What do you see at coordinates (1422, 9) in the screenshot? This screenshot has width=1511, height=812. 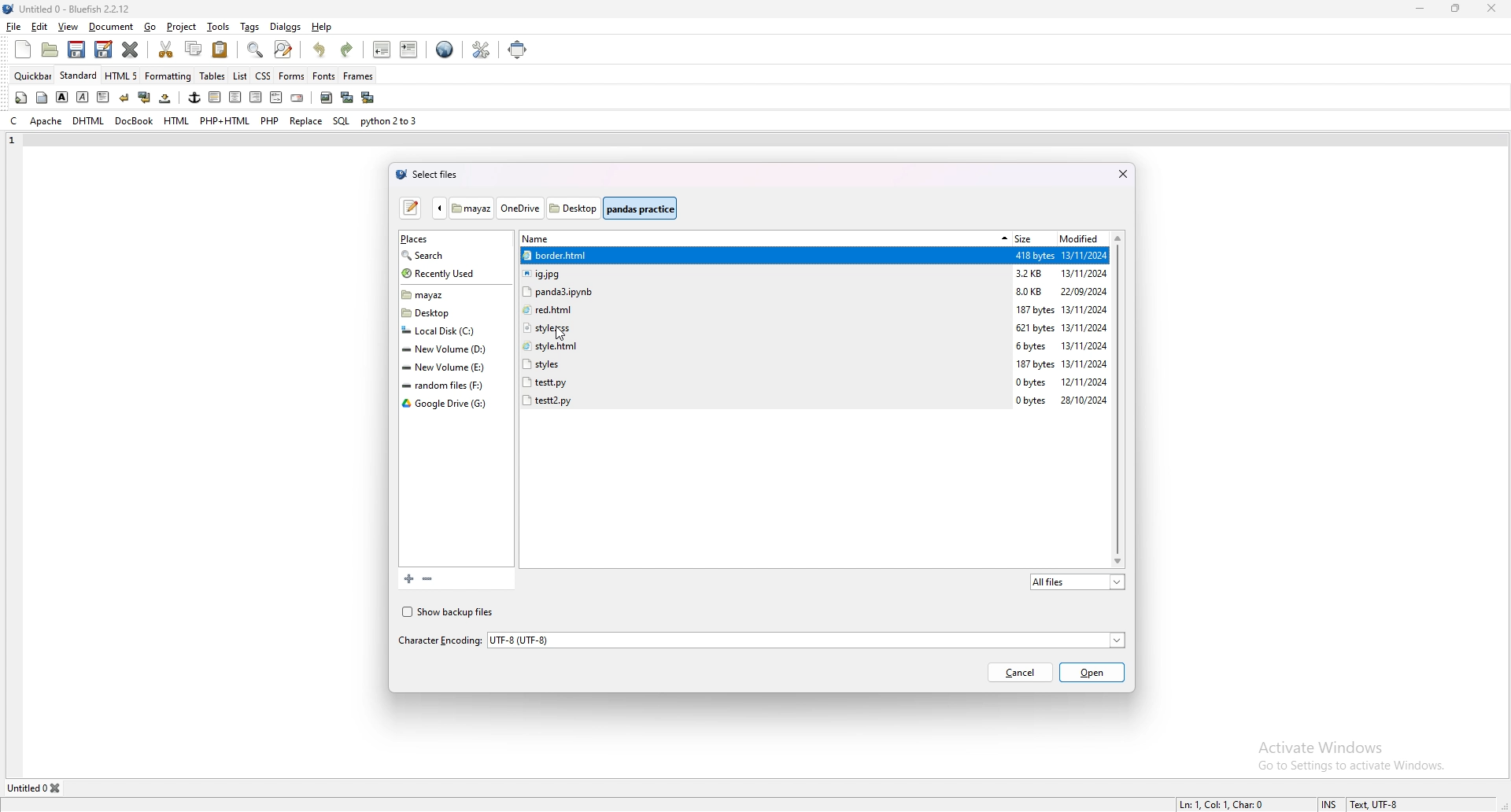 I see `minimize` at bounding box center [1422, 9].